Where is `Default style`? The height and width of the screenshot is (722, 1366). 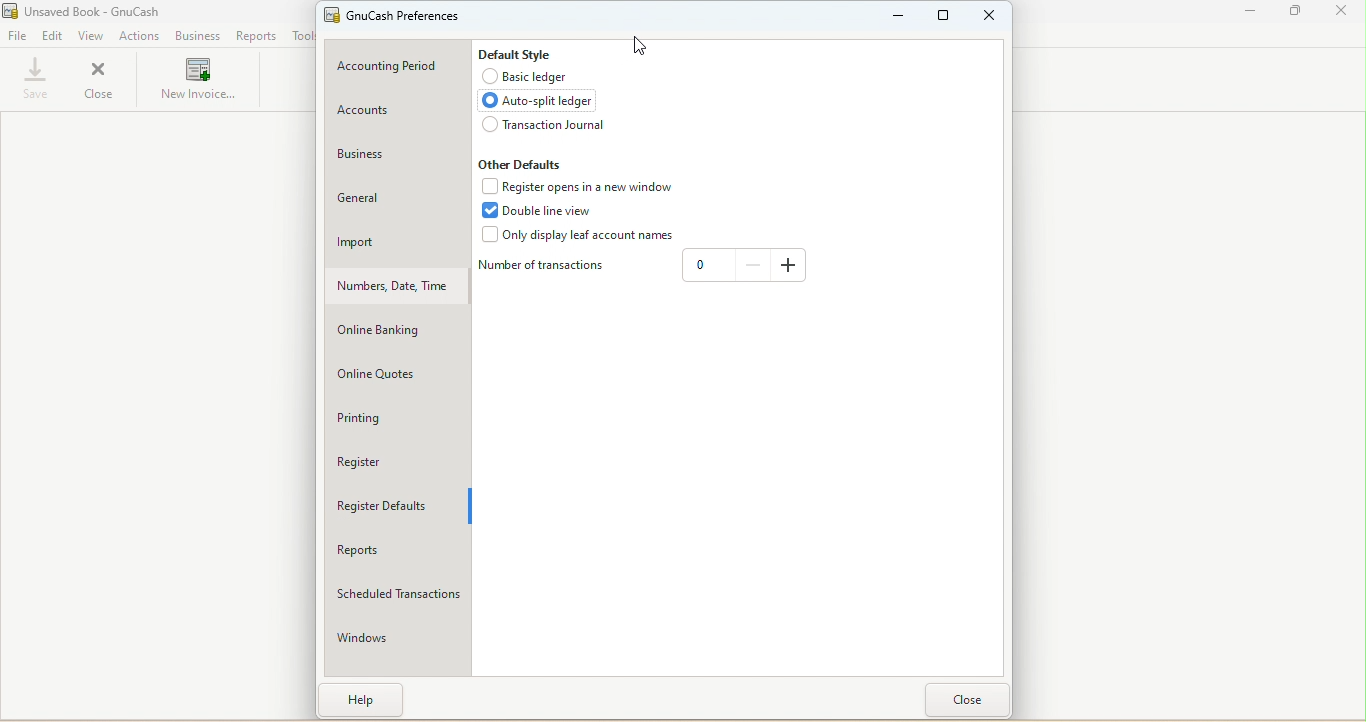
Default style is located at coordinates (520, 55).